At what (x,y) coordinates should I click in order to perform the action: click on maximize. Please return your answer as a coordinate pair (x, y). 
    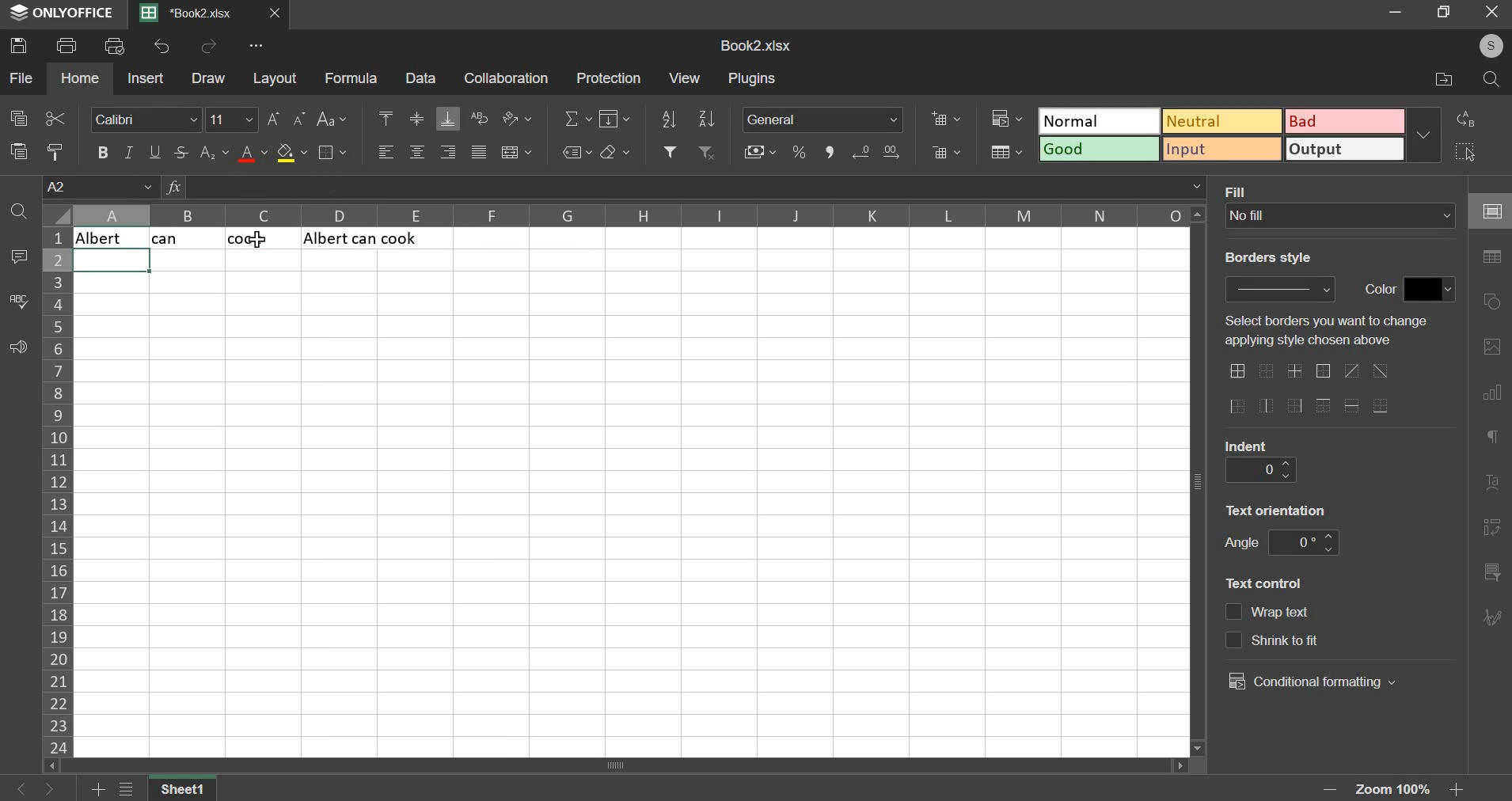
    Looking at the image, I should click on (1446, 13).